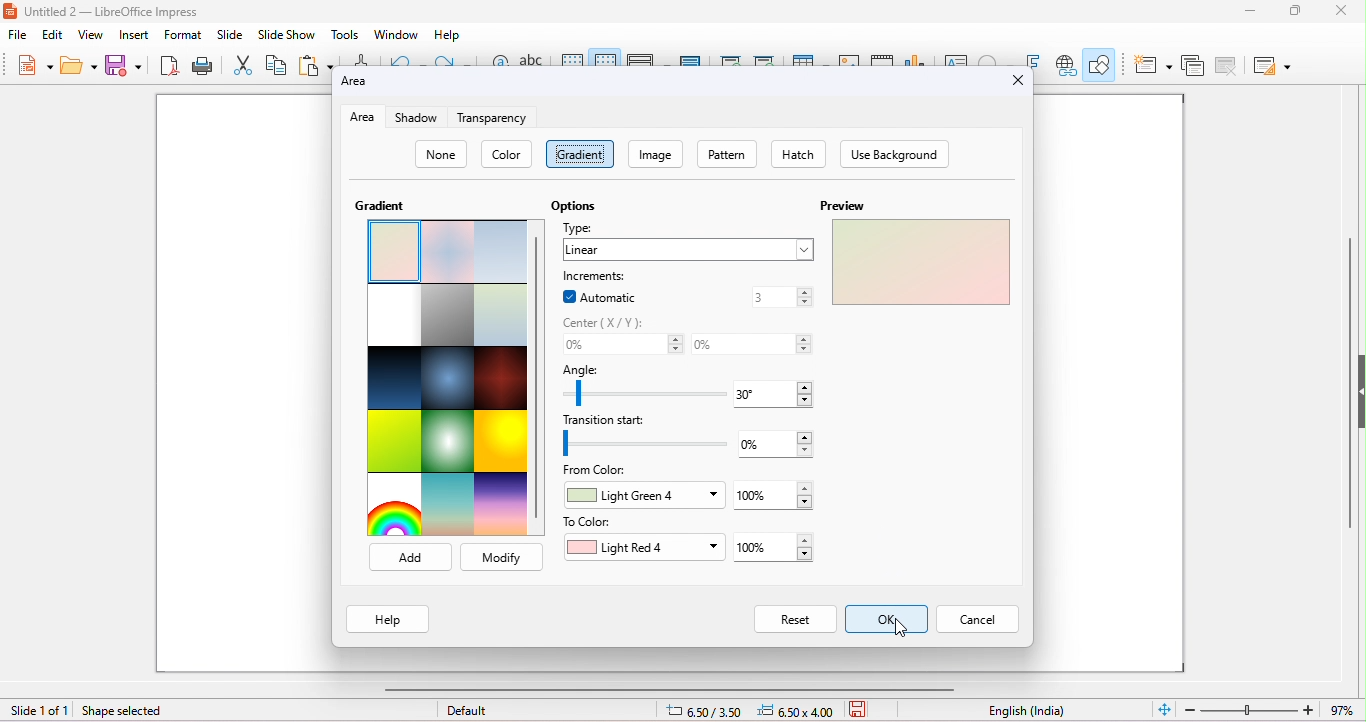  Describe the element at coordinates (779, 445) in the screenshot. I see `0%` at that location.